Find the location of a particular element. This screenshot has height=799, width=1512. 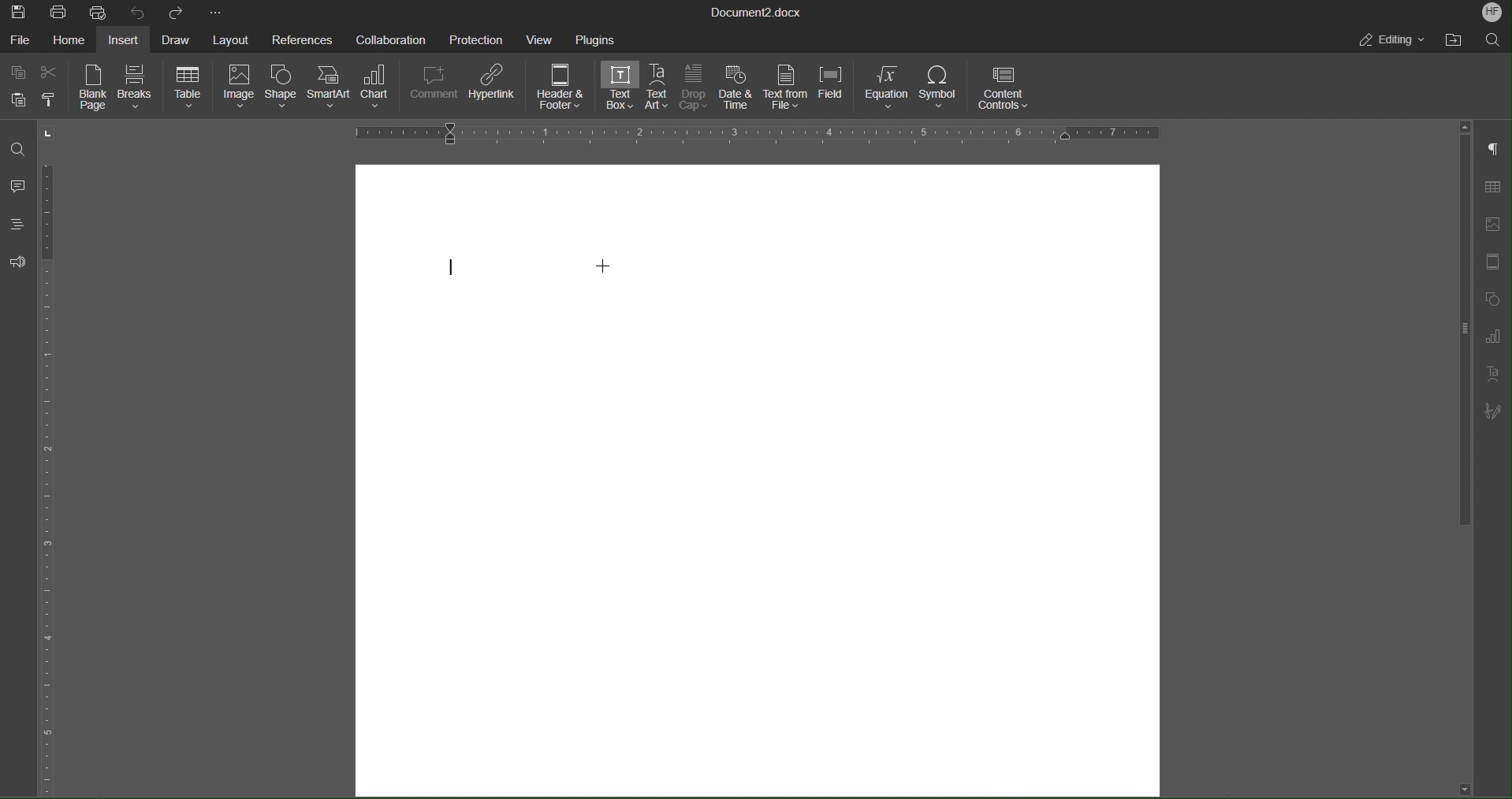

Print is located at coordinates (60, 11).